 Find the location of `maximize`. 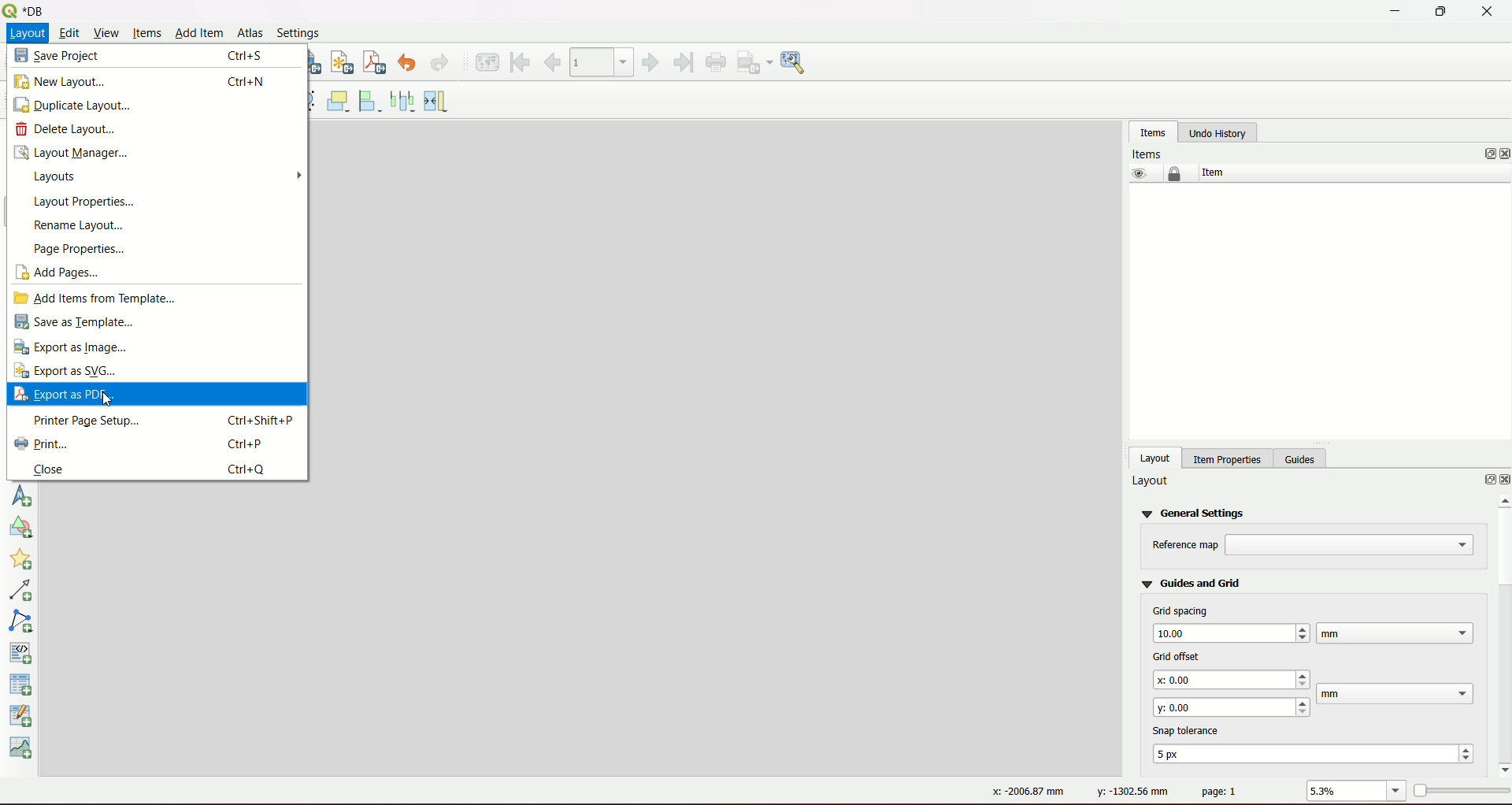

maximize is located at coordinates (1436, 12).